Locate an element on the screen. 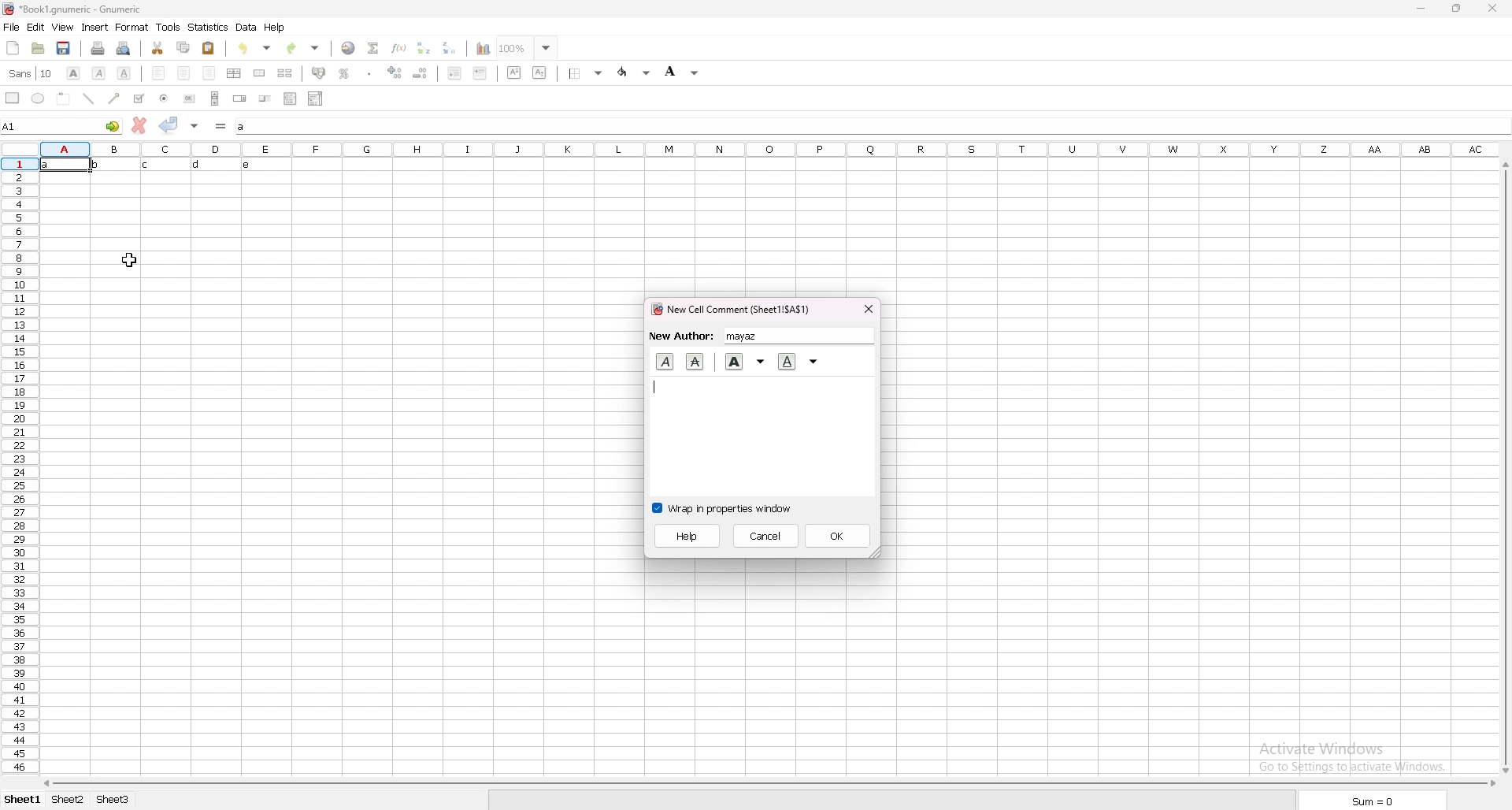 This screenshot has width=1512, height=810. tickbox is located at coordinates (139, 98).